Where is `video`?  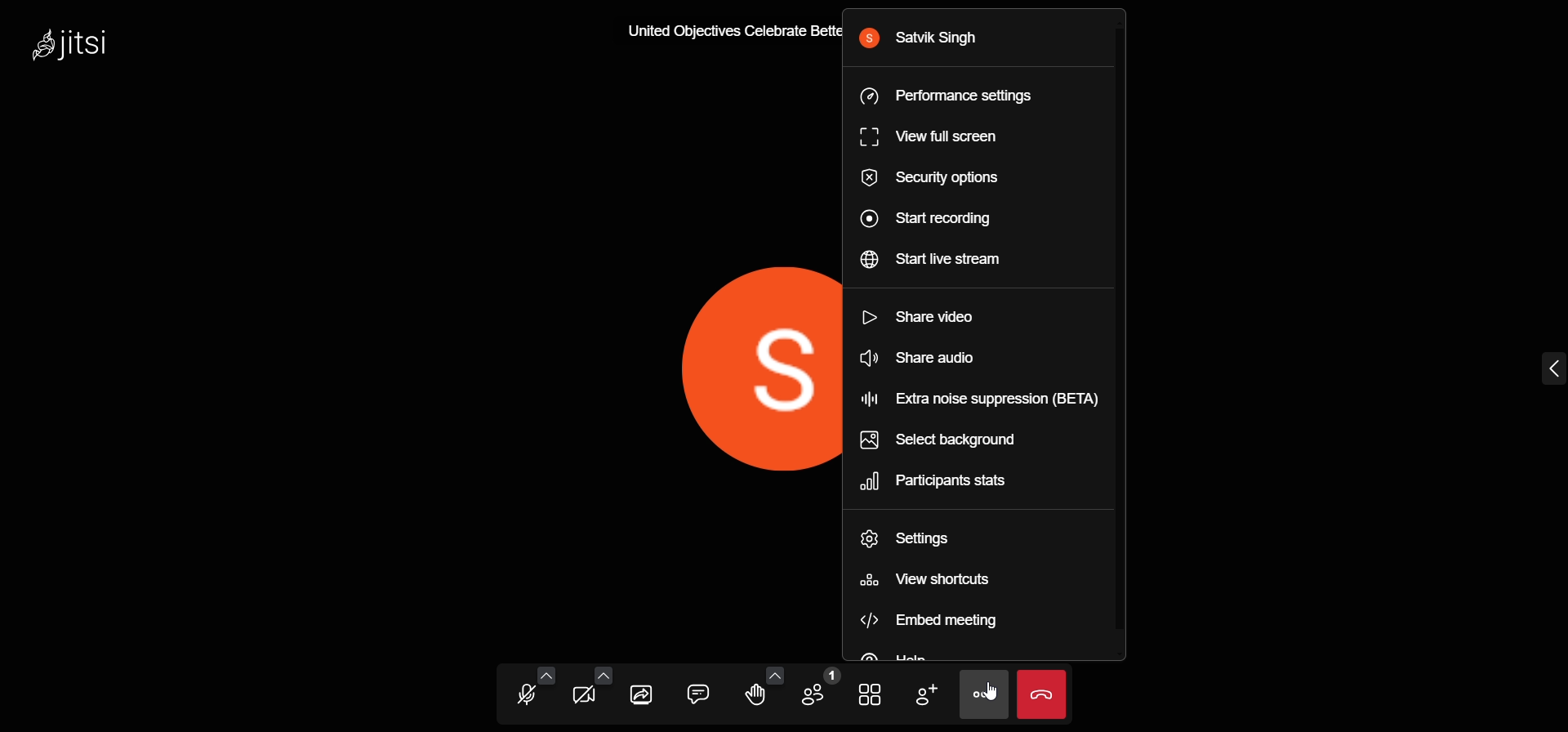
video is located at coordinates (583, 699).